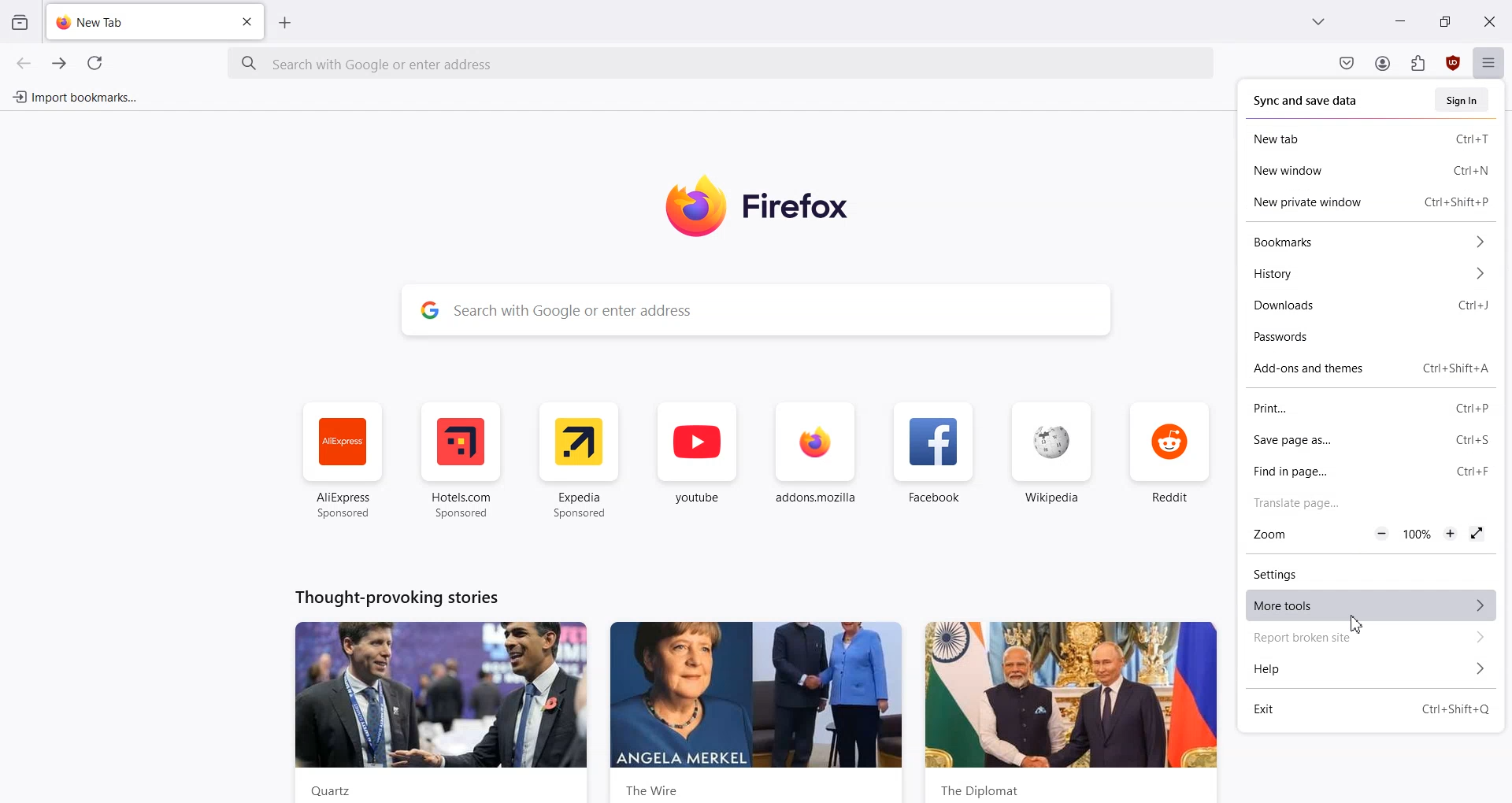  What do you see at coordinates (756, 712) in the screenshot?
I see `News` at bounding box center [756, 712].